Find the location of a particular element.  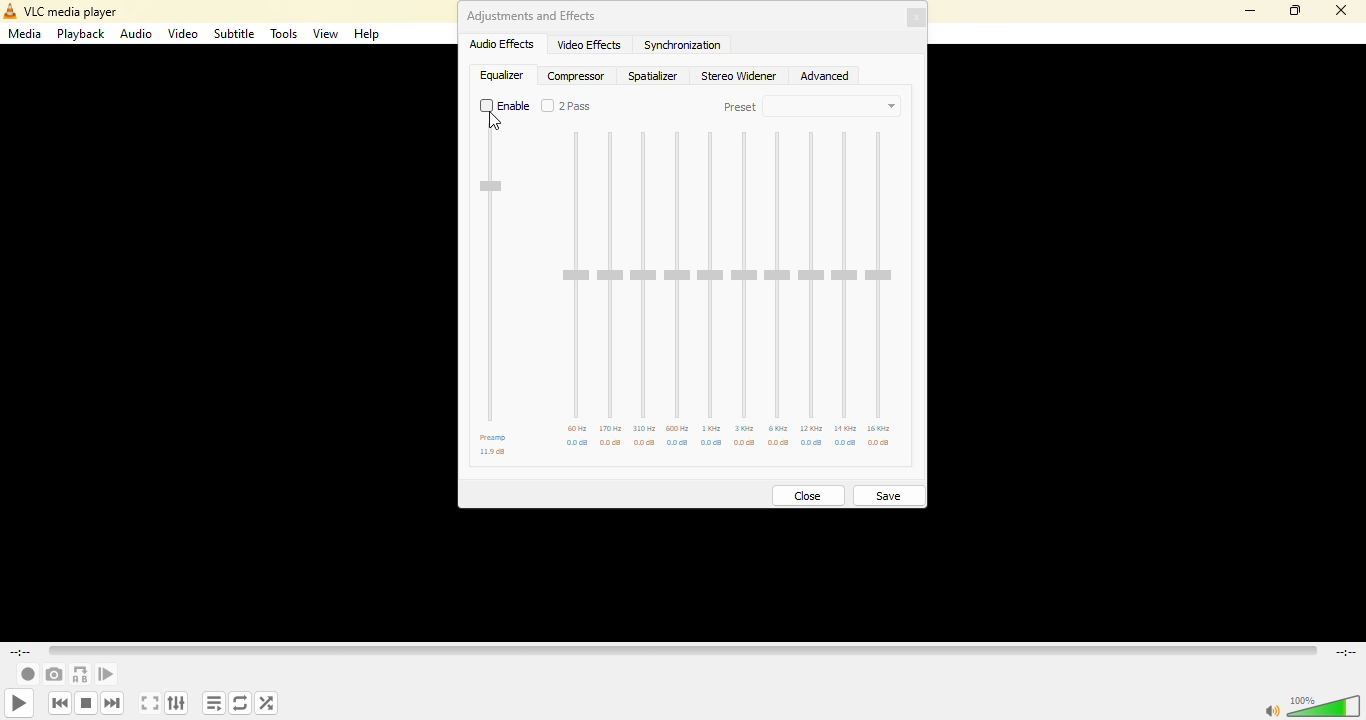

show extended settings is located at coordinates (176, 703).